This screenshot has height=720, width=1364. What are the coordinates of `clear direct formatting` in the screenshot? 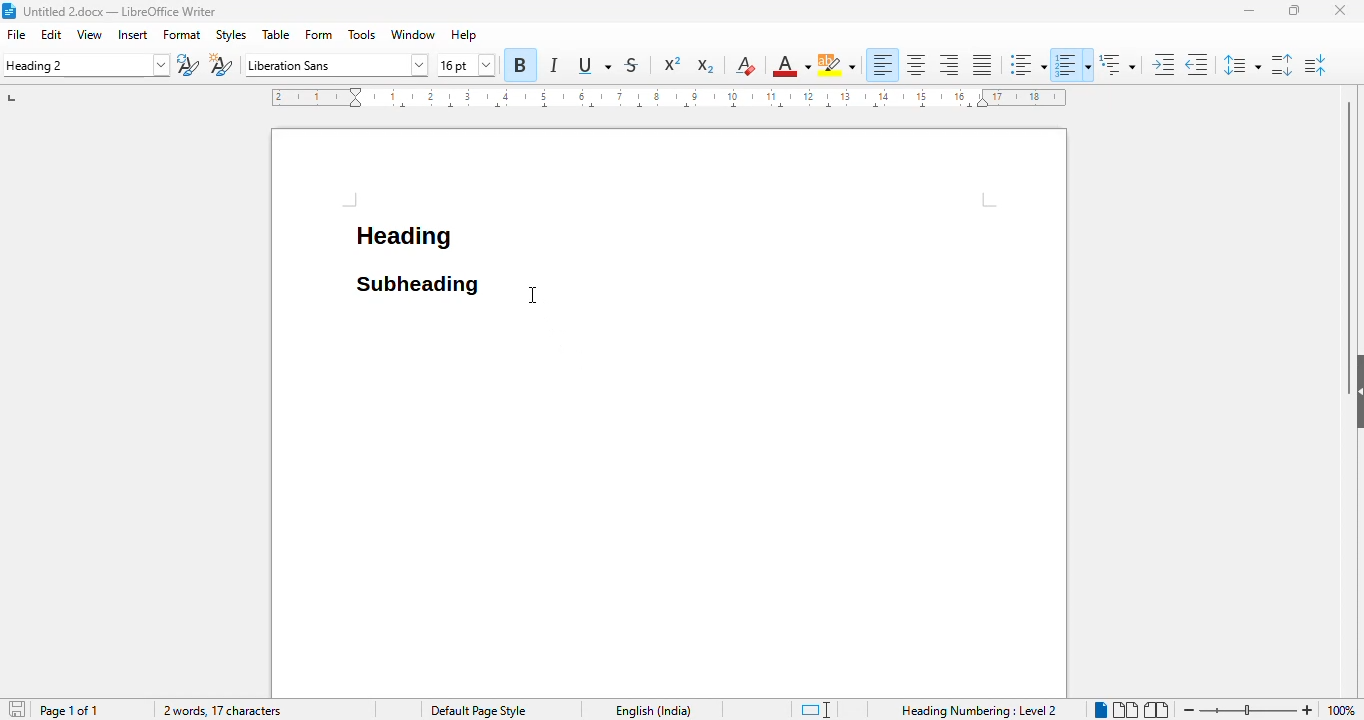 It's located at (745, 66).